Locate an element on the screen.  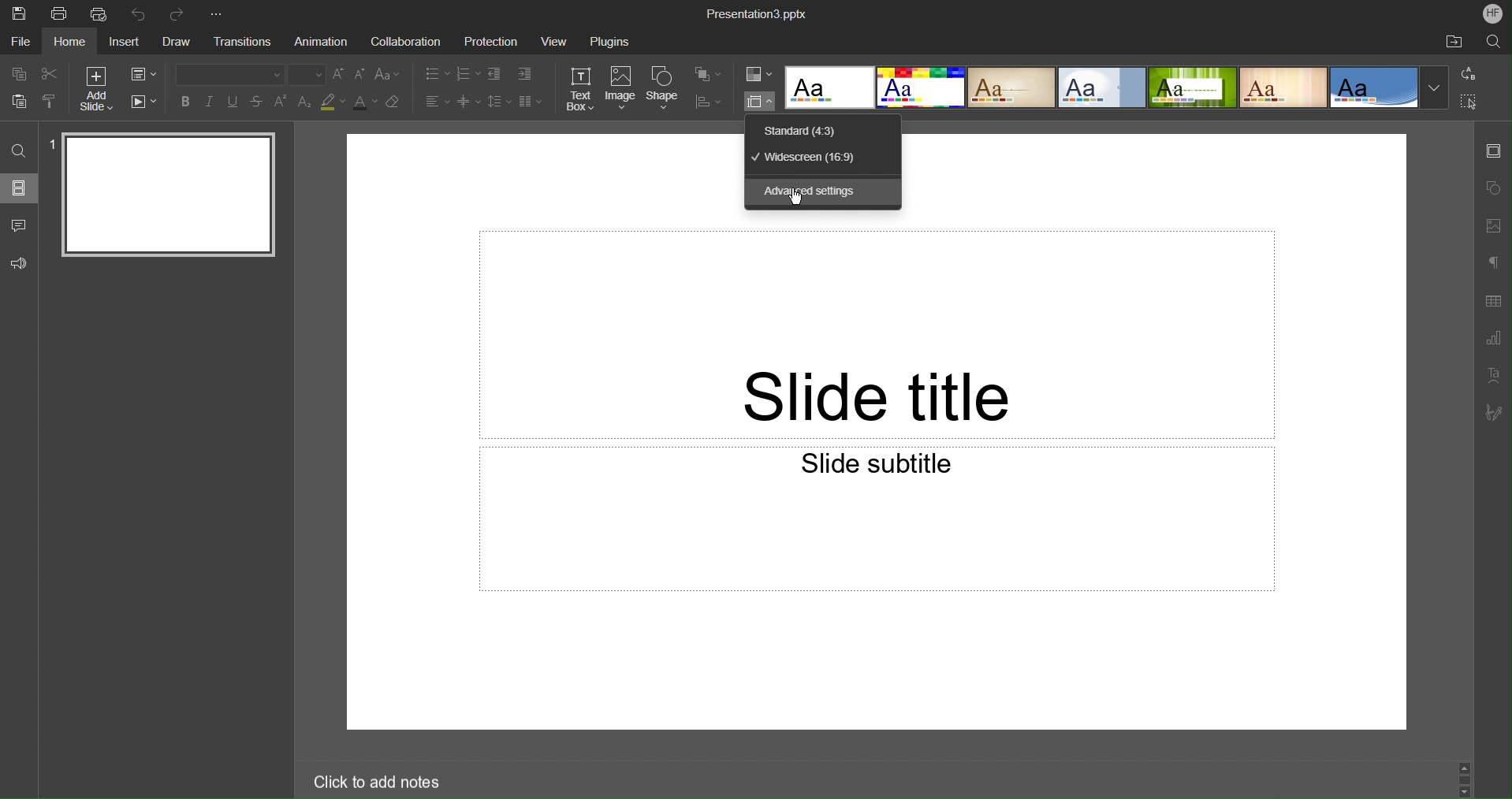
Add Slide is located at coordinates (94, 88).